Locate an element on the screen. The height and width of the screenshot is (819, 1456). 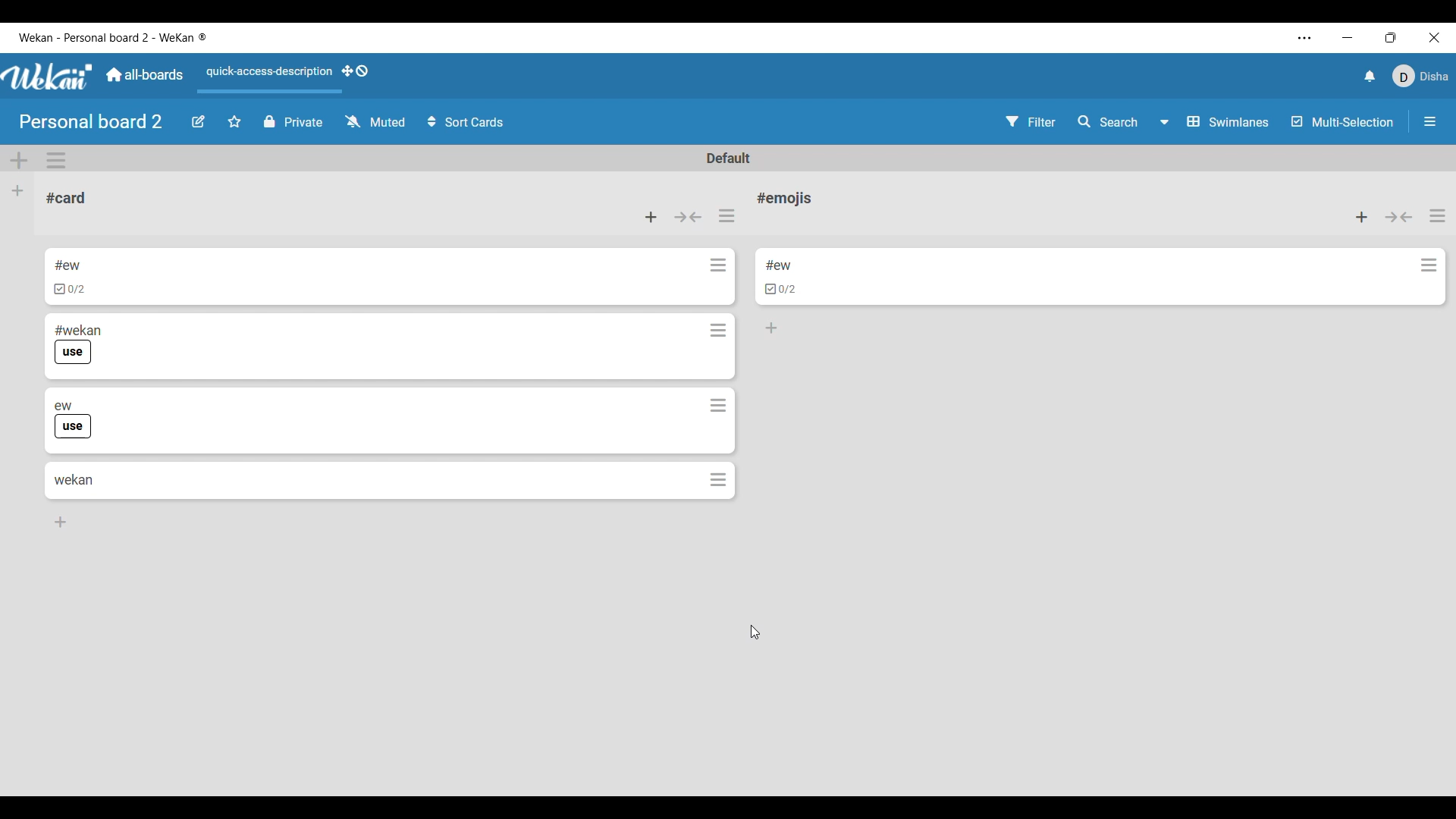
Add card to bottom of list is located at coordinates (61, 522).